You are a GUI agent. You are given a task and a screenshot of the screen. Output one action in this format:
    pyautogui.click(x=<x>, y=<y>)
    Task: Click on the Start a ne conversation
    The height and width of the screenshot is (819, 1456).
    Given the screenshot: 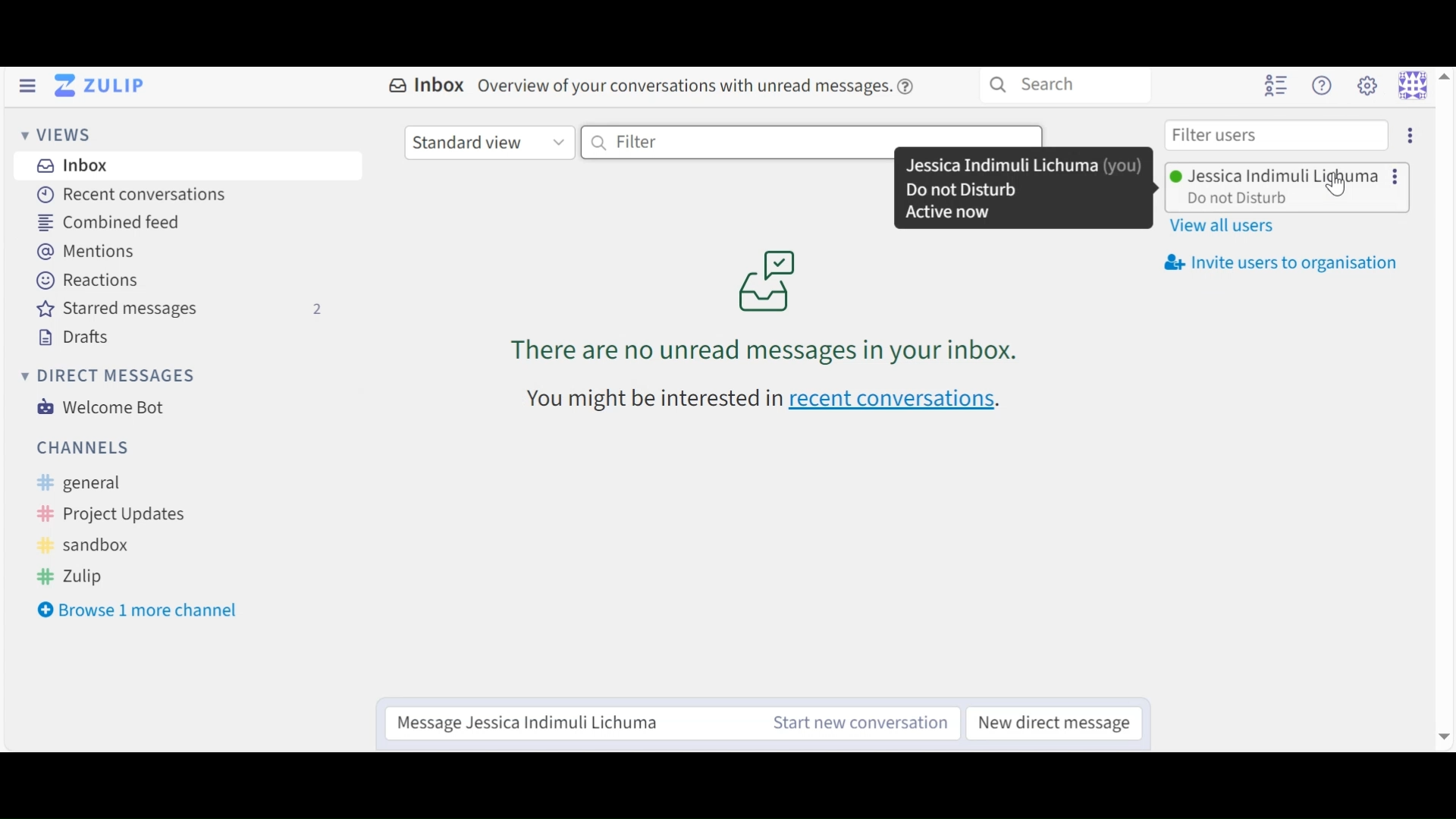 What is the action you would take?
    pyautogui.click(x=858, y=723)
    